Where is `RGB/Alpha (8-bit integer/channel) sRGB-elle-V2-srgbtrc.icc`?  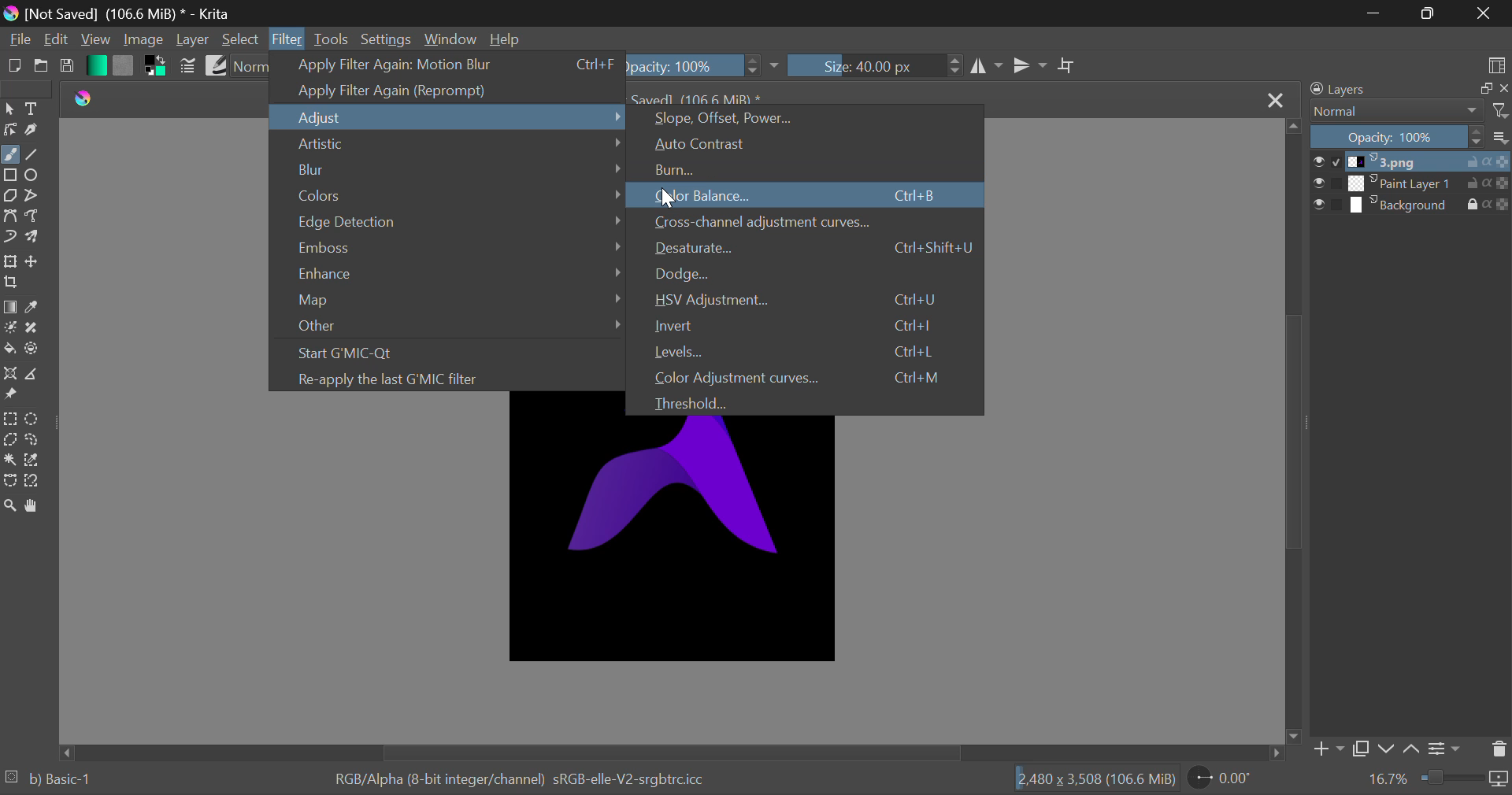
RGB/Alpha (8-bit integer/channel) sRGB-elle-V2-srgbtrc.icc is located at coordinates (532, 780).